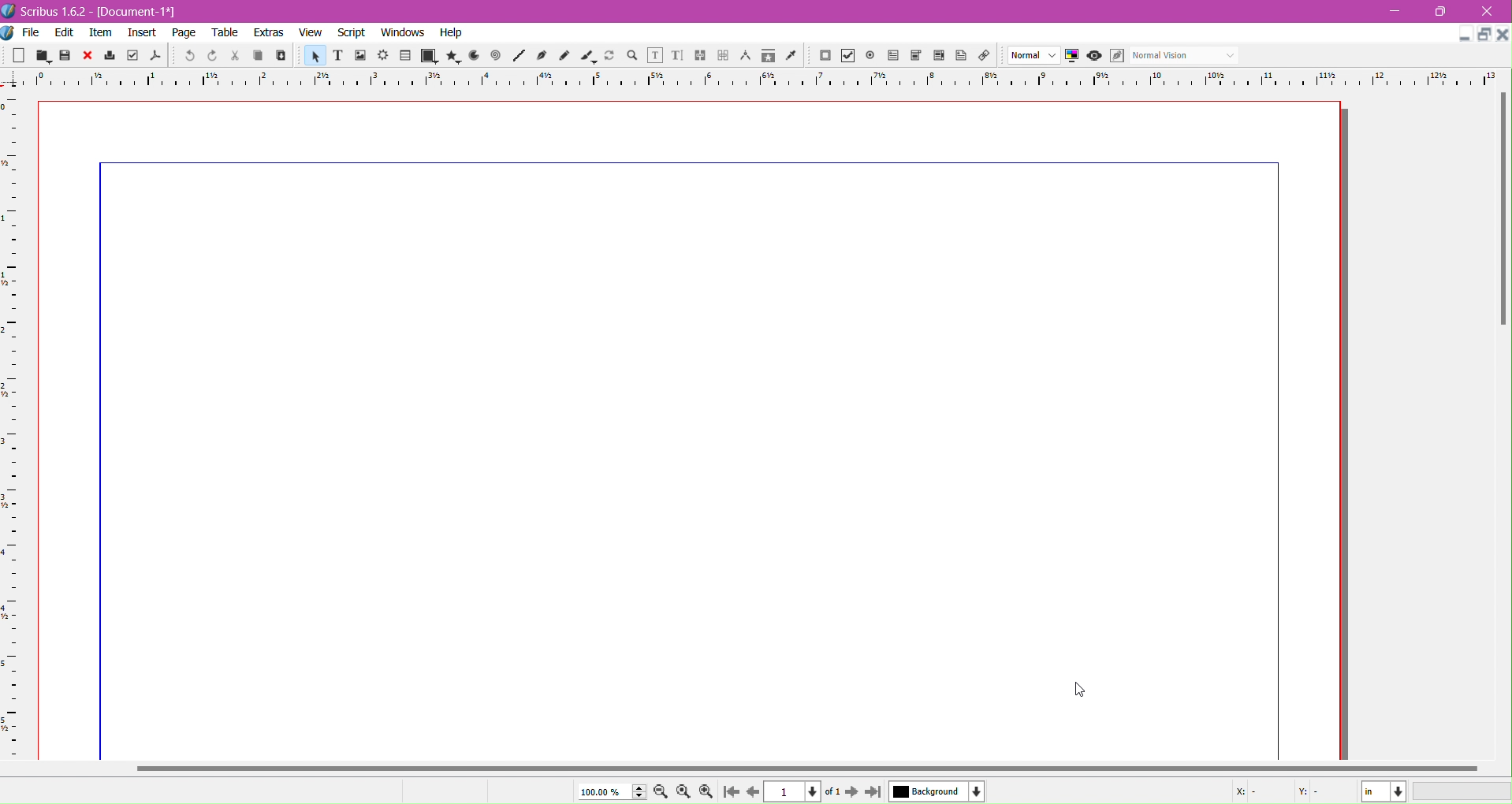 This screenshot has height=804, width=1512. What do you see at coordinates (566, 57) in the screenshot?
I see `freehand line` at bounding box center [566, 57].